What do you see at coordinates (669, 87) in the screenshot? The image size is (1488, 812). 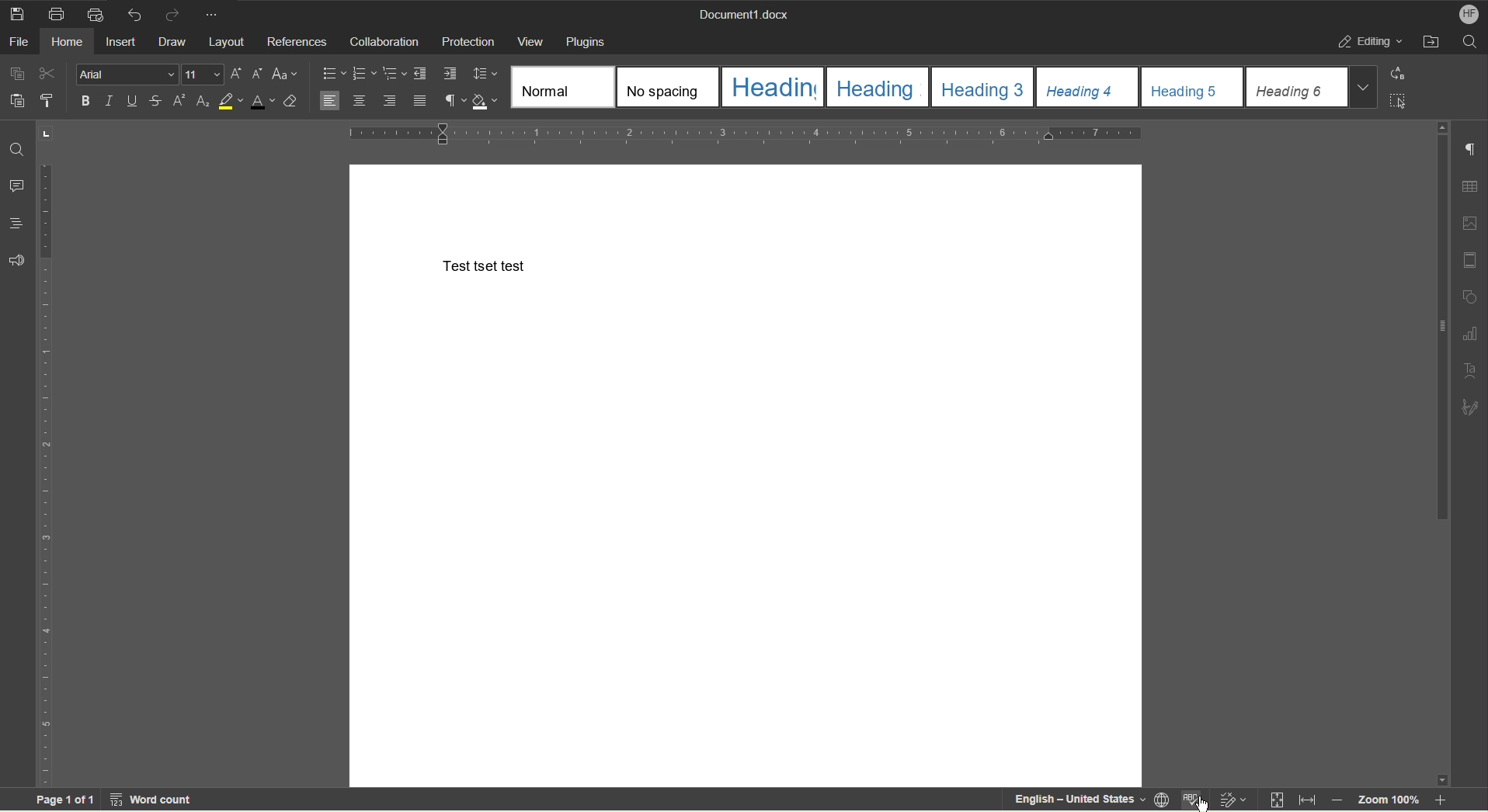 I see `No Spacing` at bounding box center [669, 87].